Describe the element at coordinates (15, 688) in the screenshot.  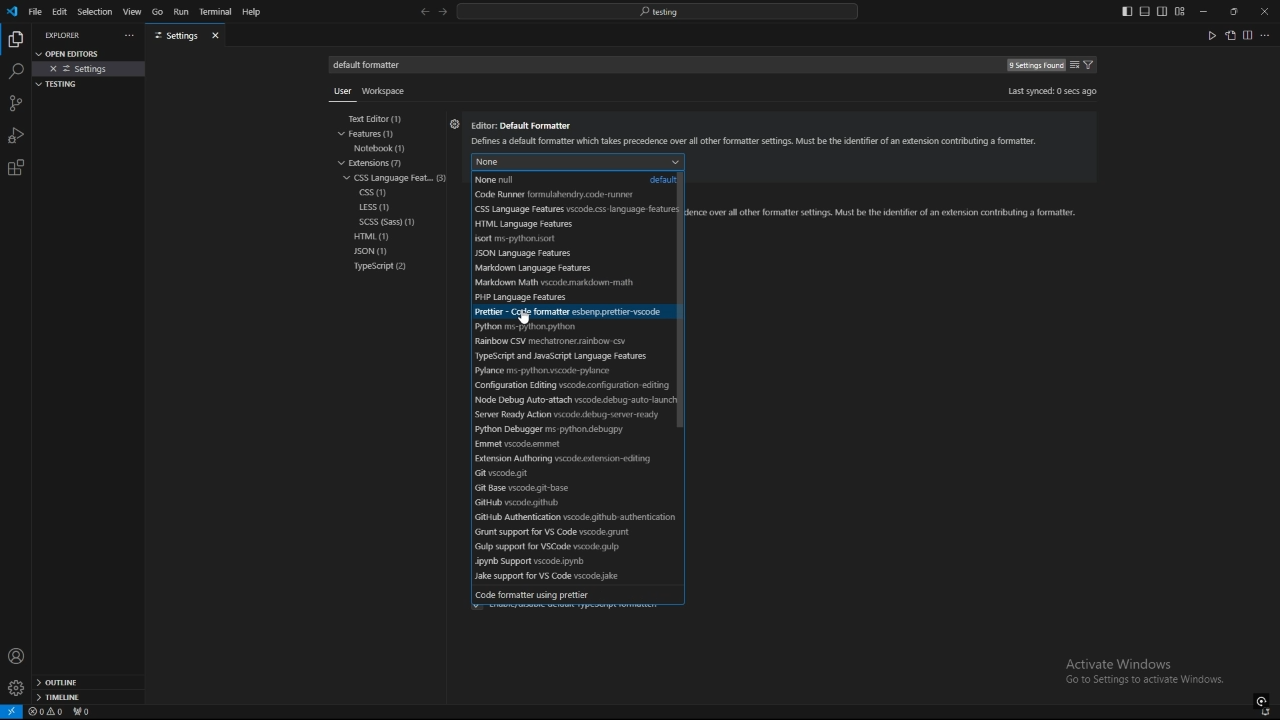
I see `settings` at that location.